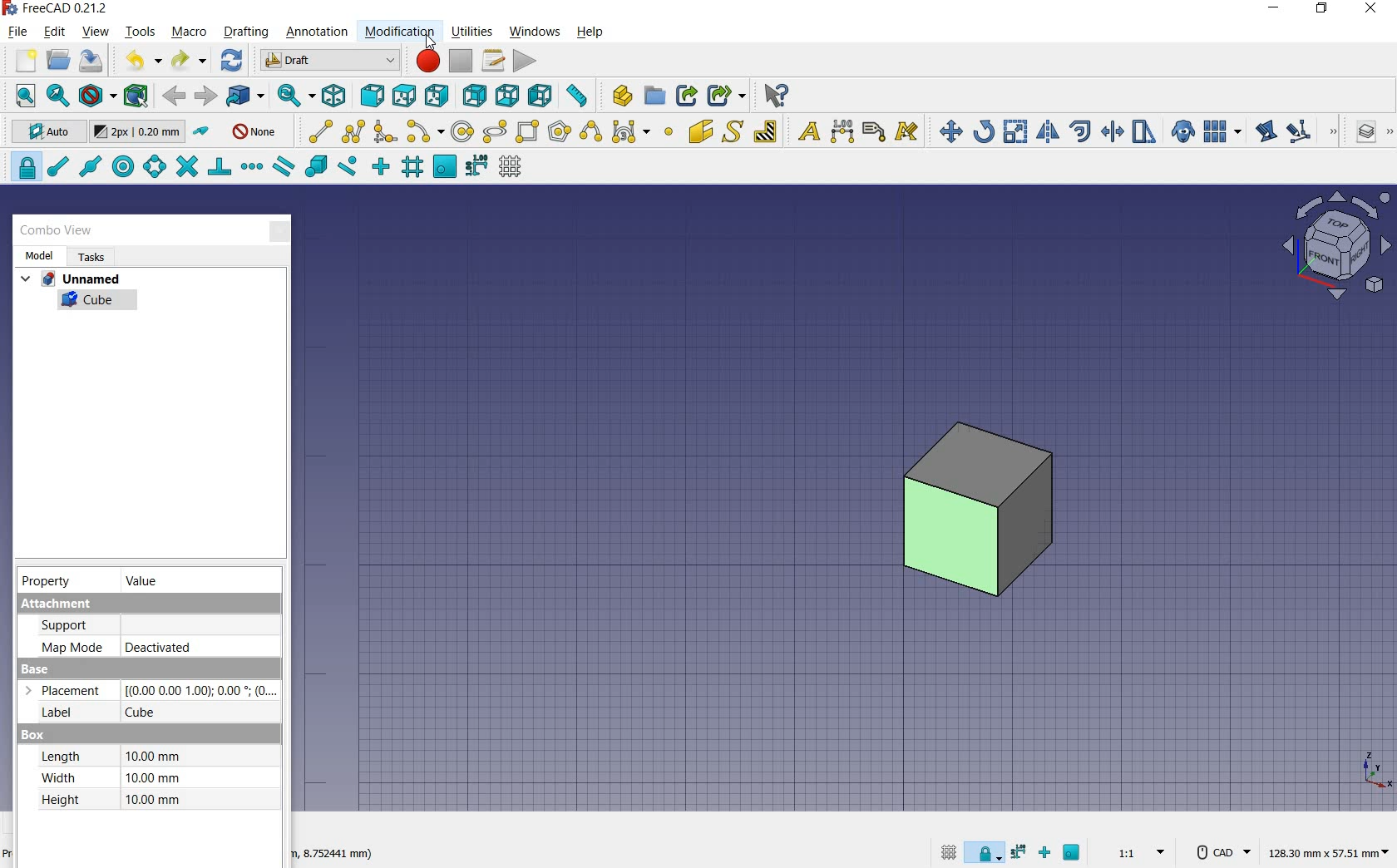 The height and width of the screenshot is (868, 1397). I want to click on what's this?, so click(774, 96).